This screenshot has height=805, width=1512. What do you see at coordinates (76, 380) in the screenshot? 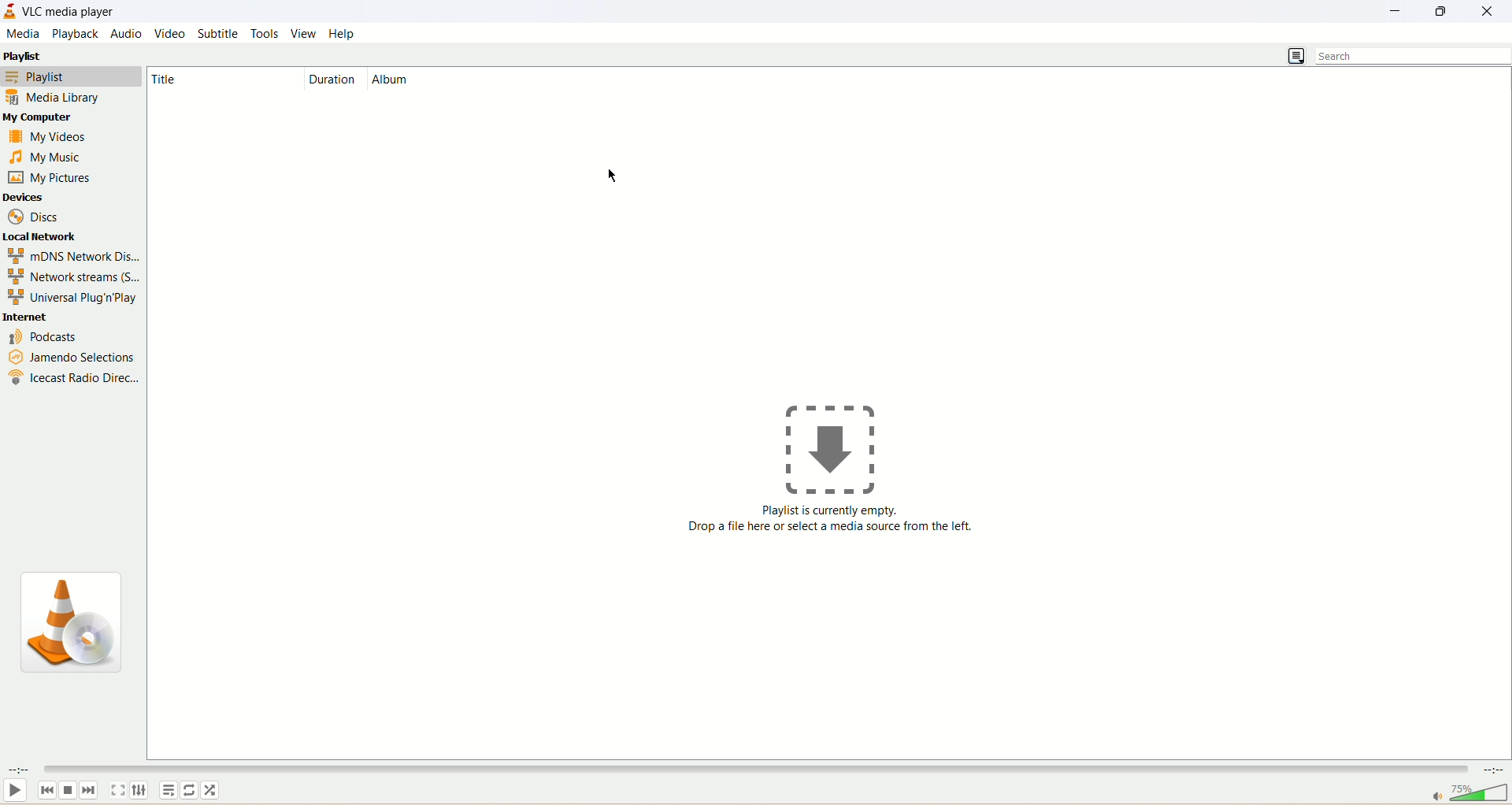
I see `icecast radio` at bounding box center [76, 380].